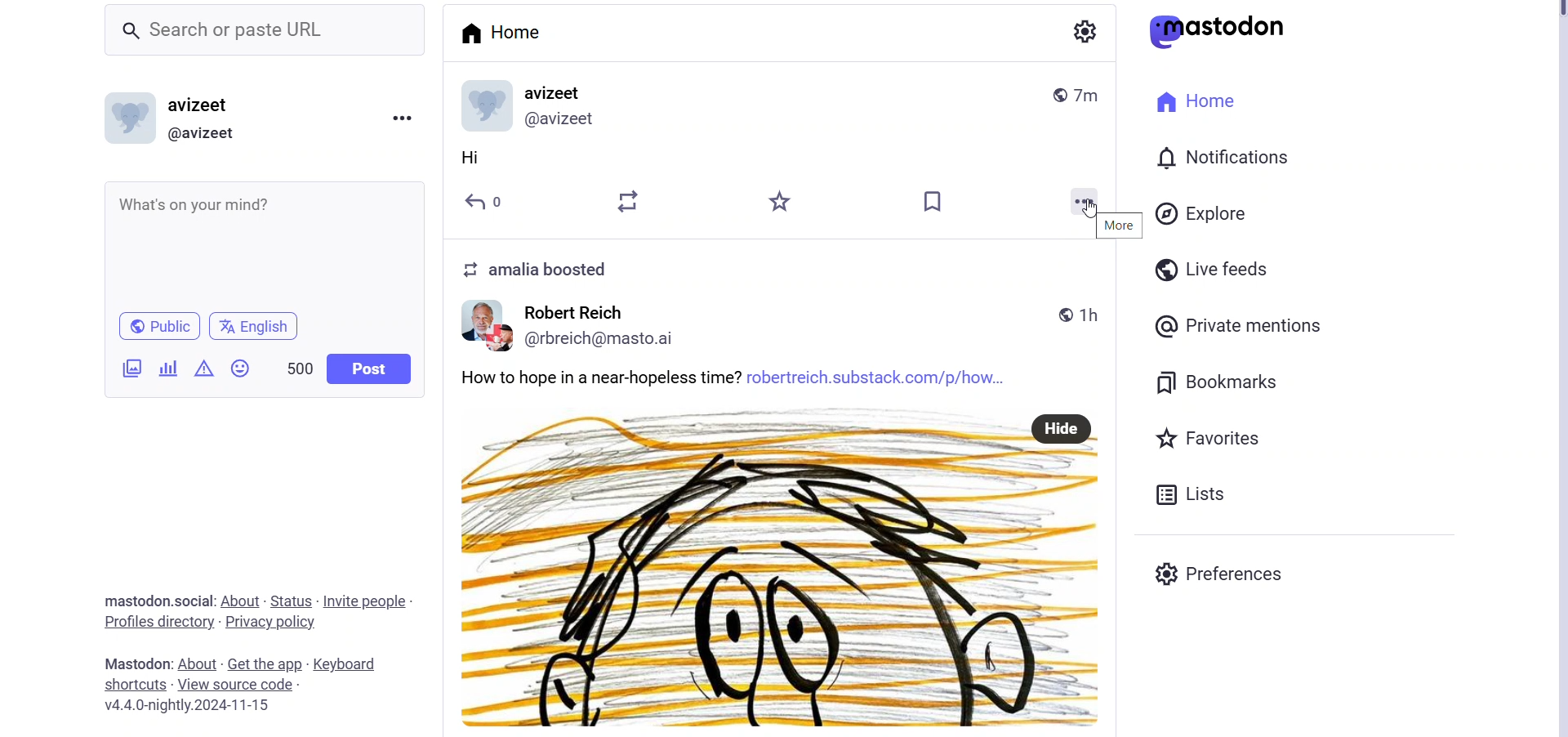 The width and height of the screenshot is (1568, 737). Describe the element at coordinates (578, 329) in the screenshot. I see `Username and Profile Picture` at that location.